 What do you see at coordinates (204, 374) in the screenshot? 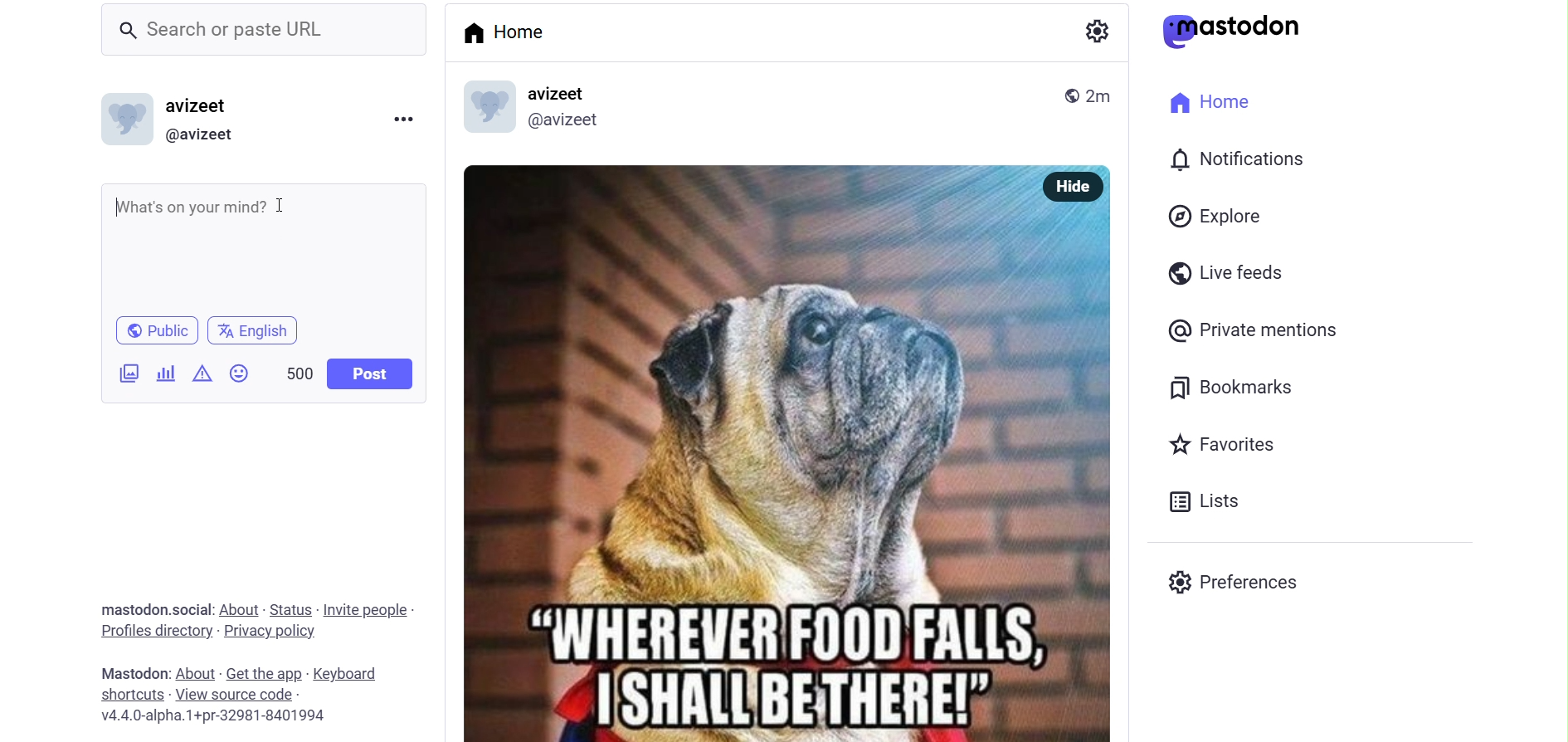
I see `content warning` at bounding box center [204, 374].